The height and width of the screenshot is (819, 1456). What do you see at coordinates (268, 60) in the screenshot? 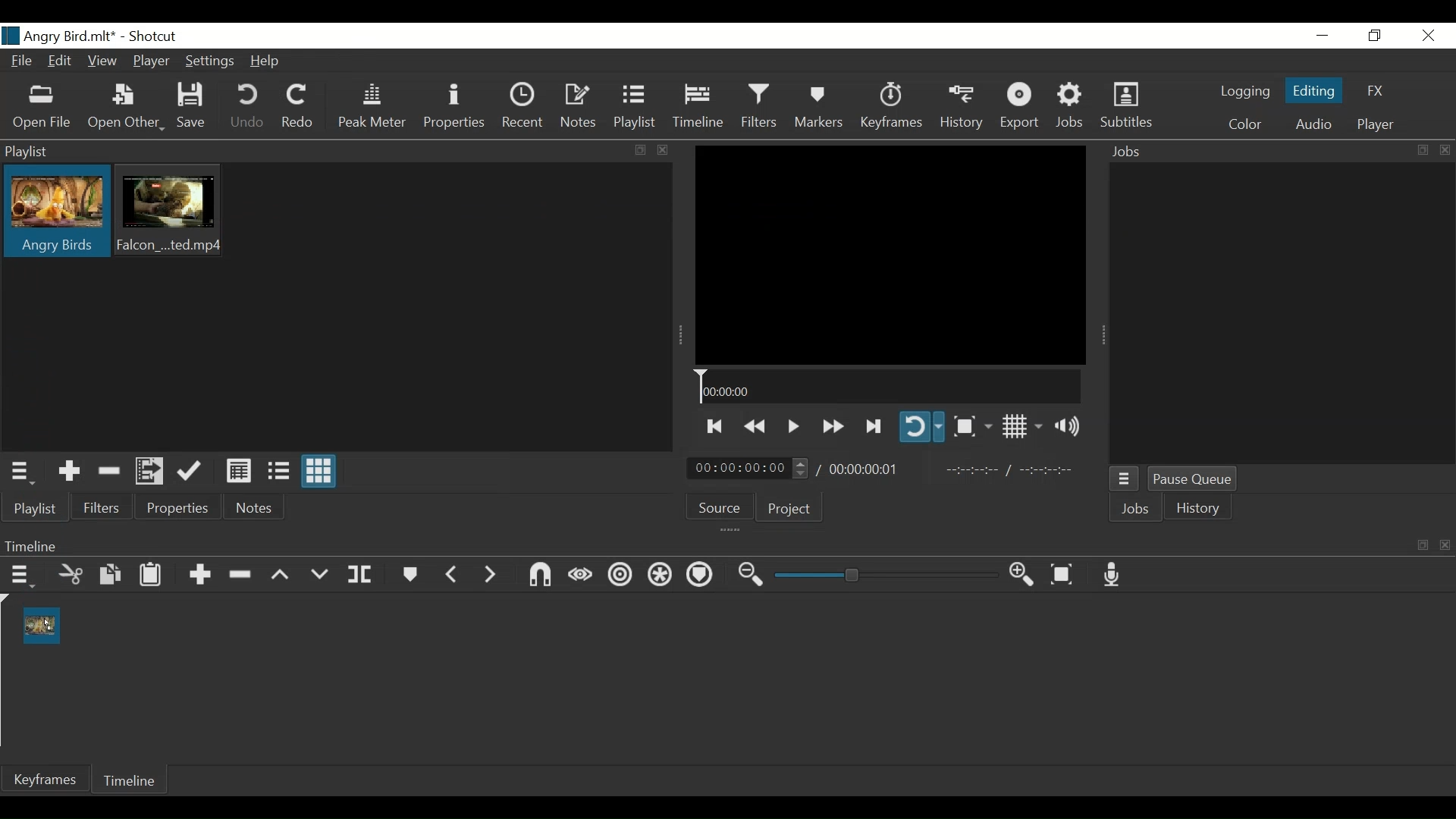
I see `Help` at bounding box center [268, 60].